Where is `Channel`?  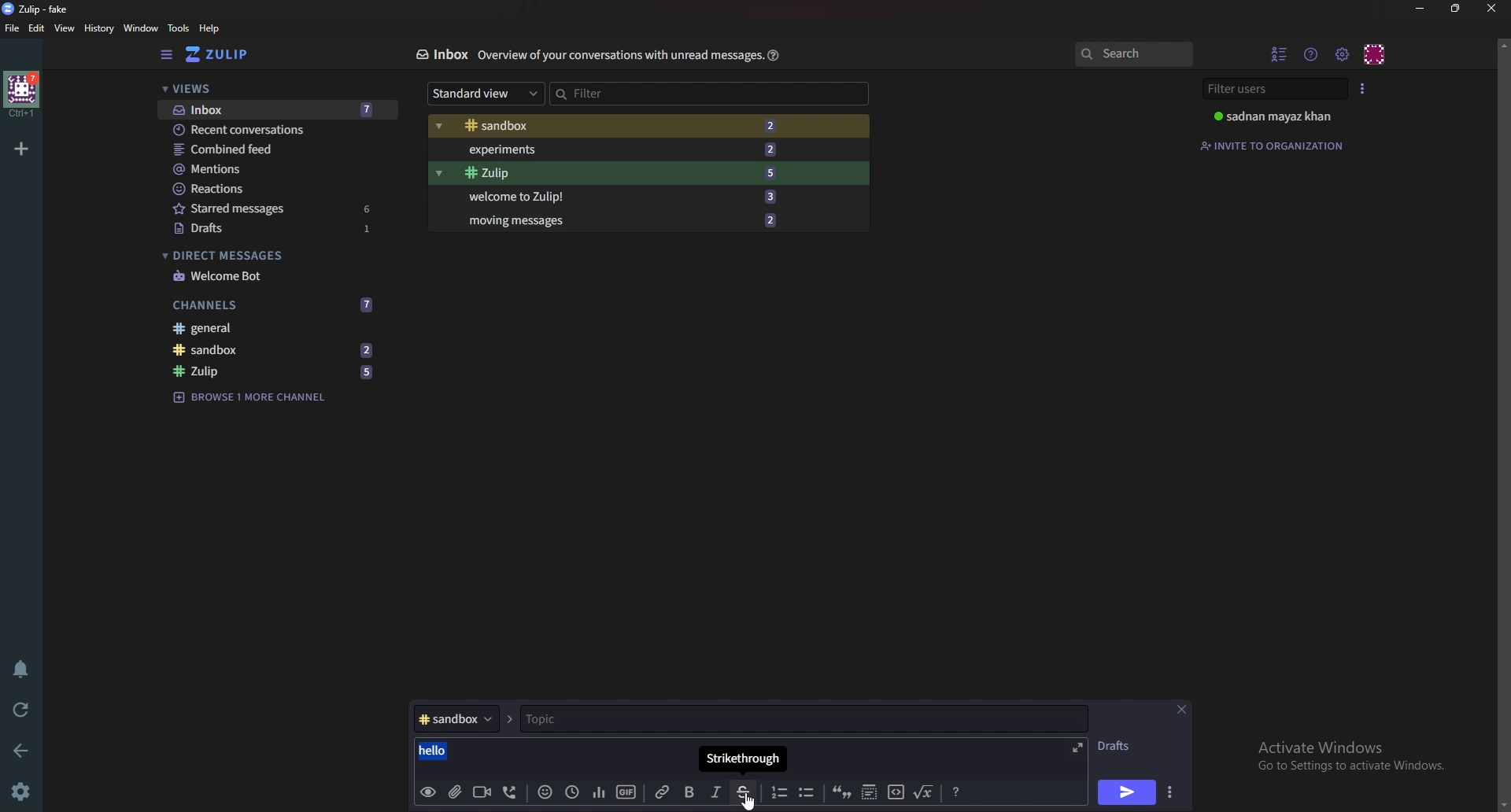
Channel is located at coordinates (456, 718).